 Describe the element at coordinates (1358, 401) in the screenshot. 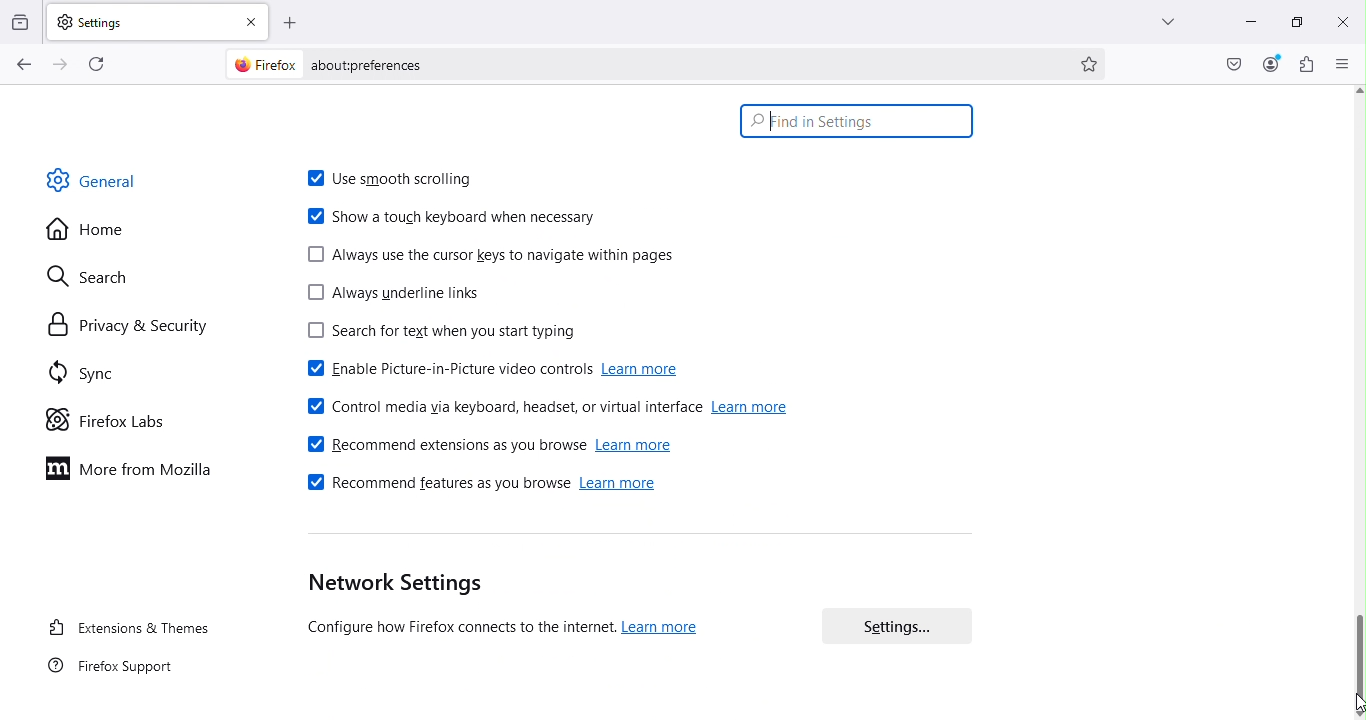

I see `Scroll bar` at that location.